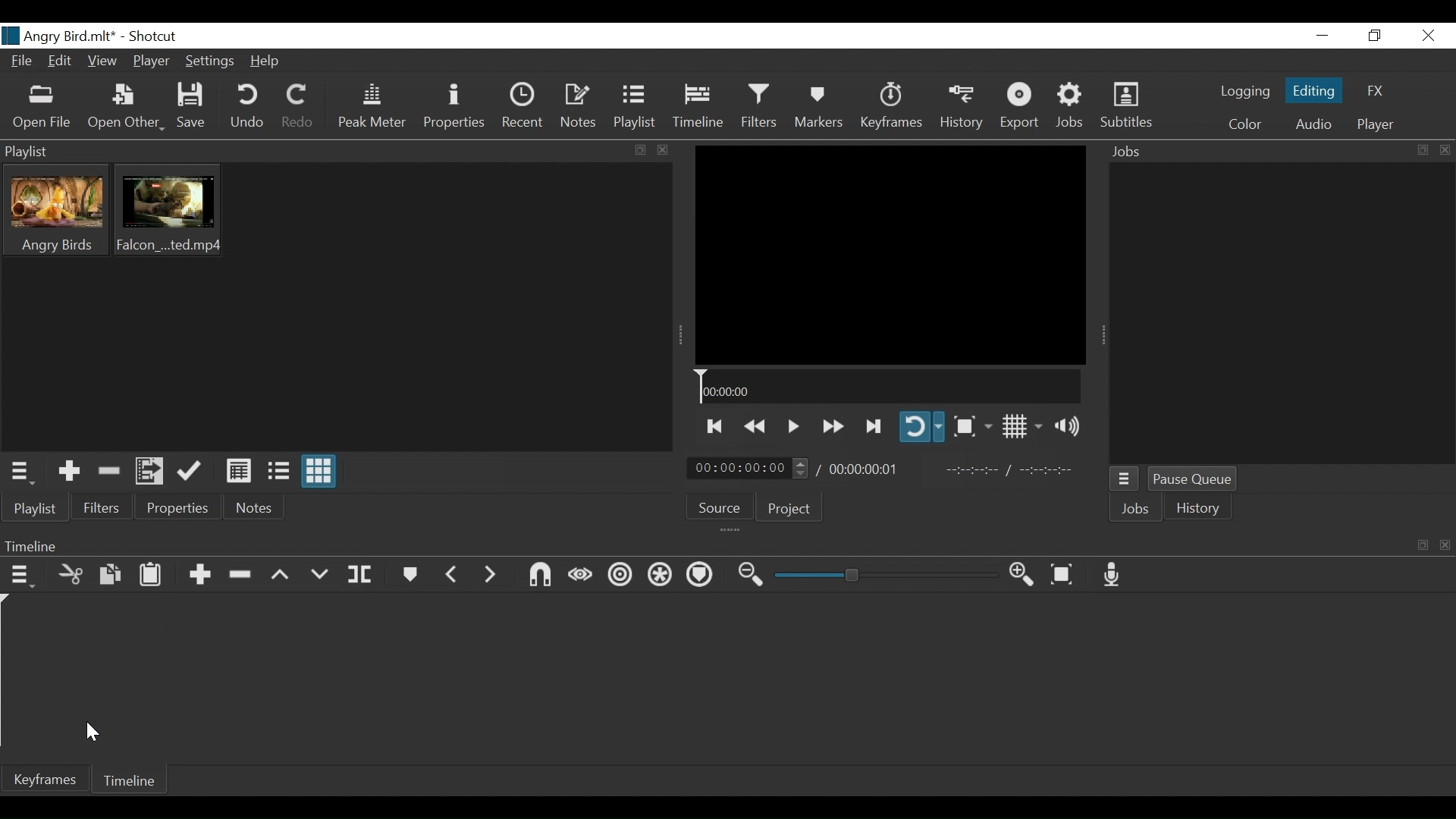  What do you see at coordinates (337, 151) in the screenshot?
I see `Playlist` at bounding box center [337, 151].